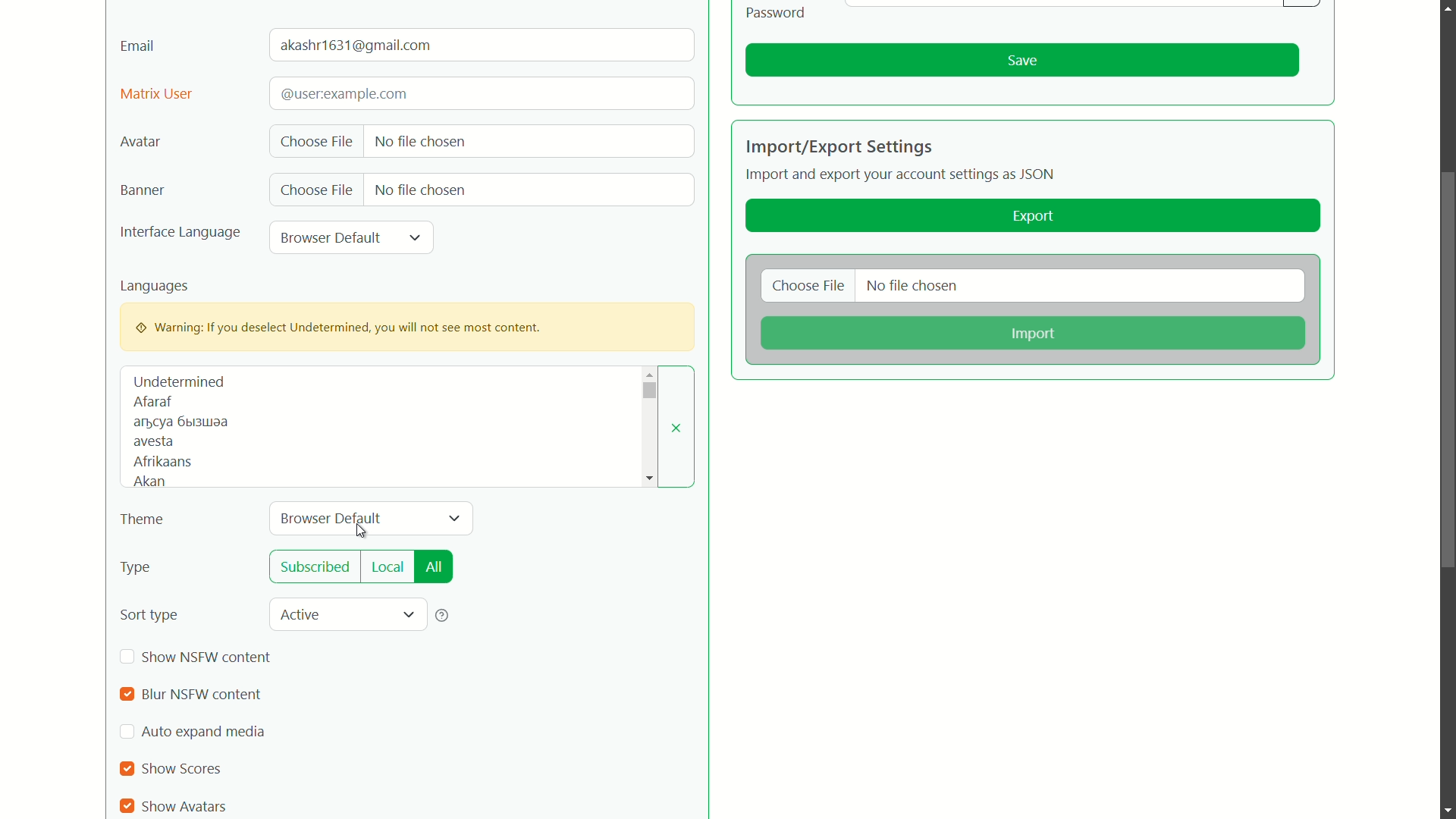 This screenshot has width=1456, height=819. I want to click on show nsfw content, so click(208, 657).